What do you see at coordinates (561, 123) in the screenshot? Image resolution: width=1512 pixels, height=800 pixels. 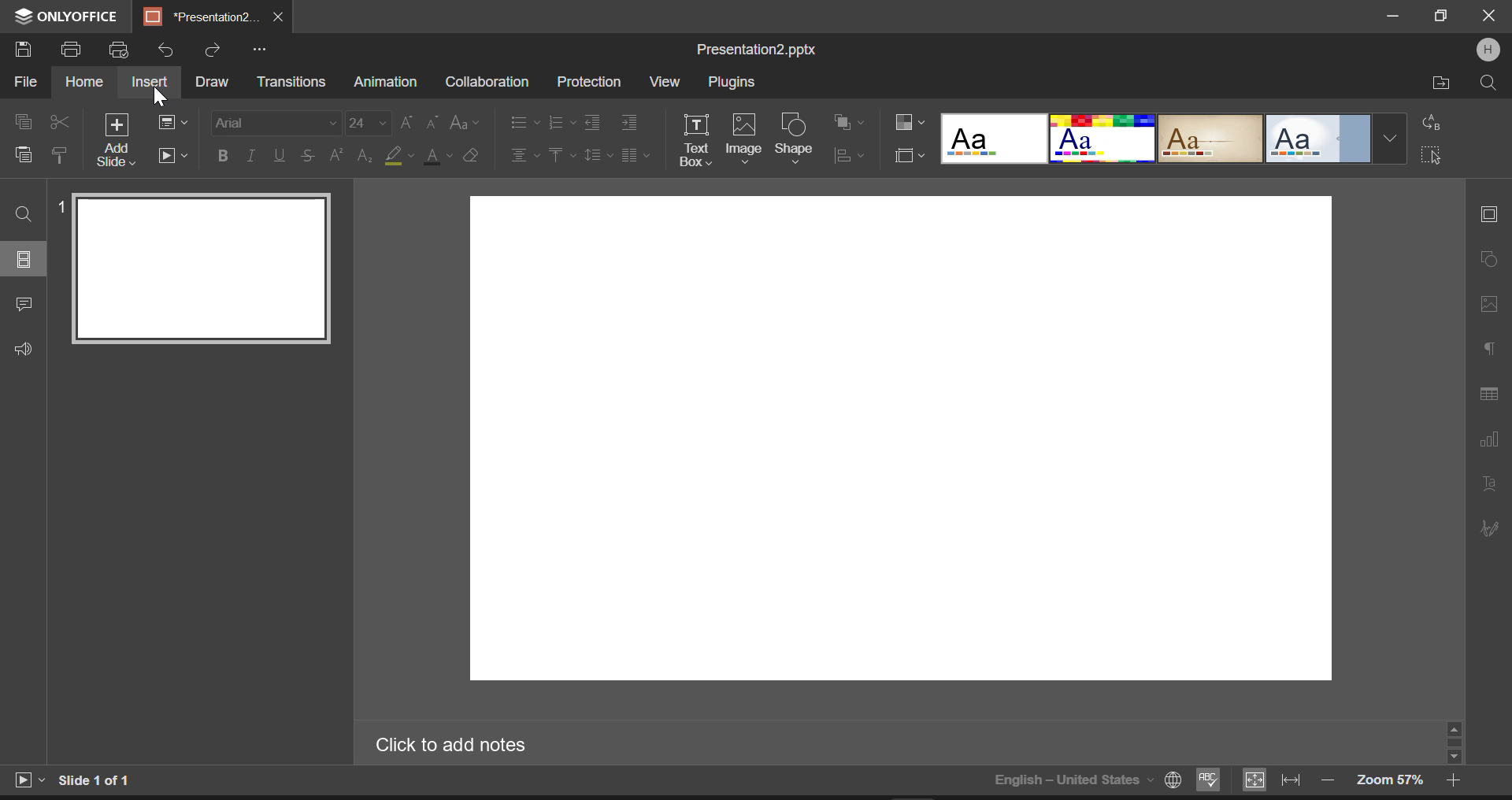 I see `Numbering` at bounding box center [561, 123].